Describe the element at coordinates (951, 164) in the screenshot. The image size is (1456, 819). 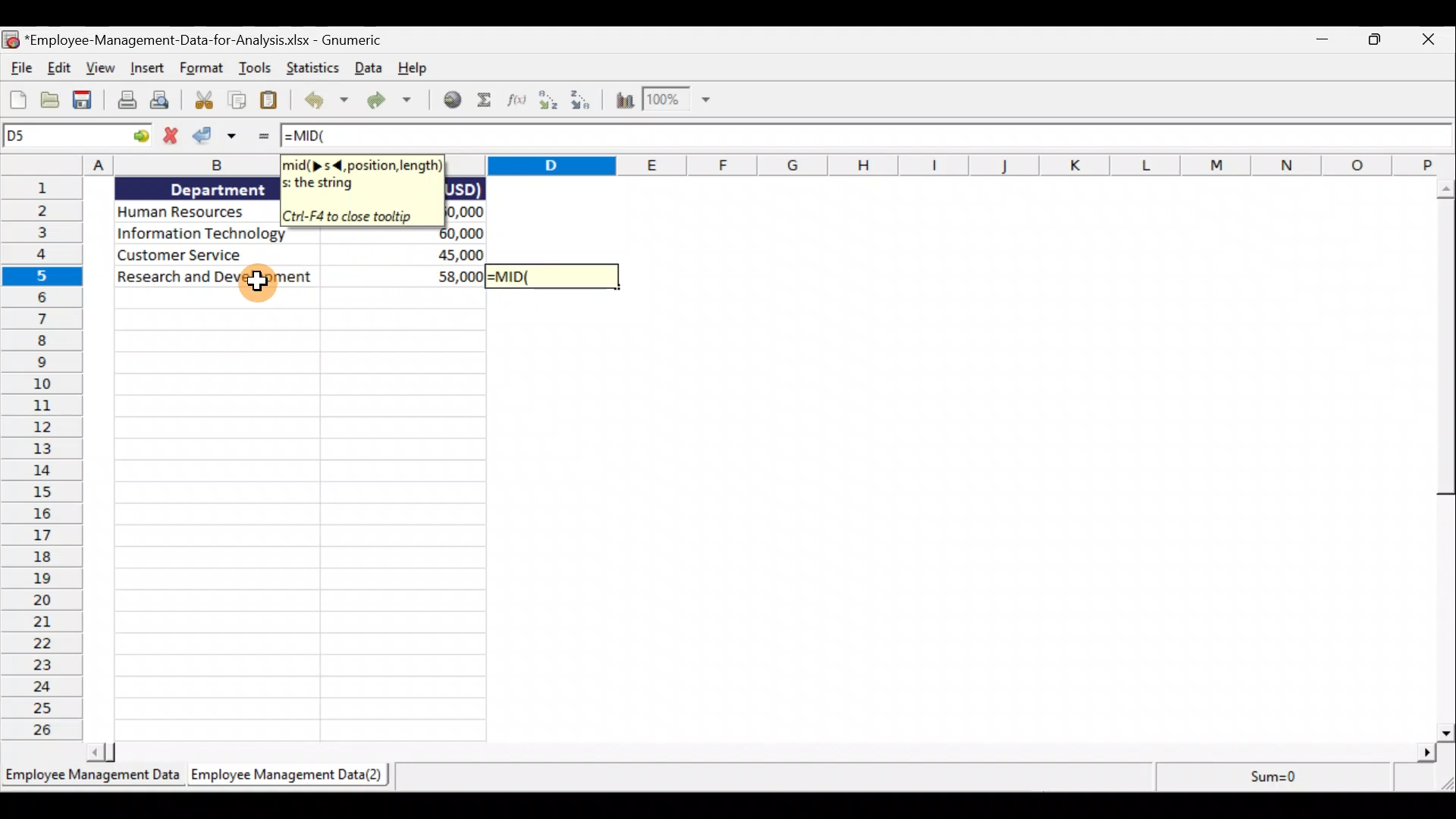
I see `columns` at that location.